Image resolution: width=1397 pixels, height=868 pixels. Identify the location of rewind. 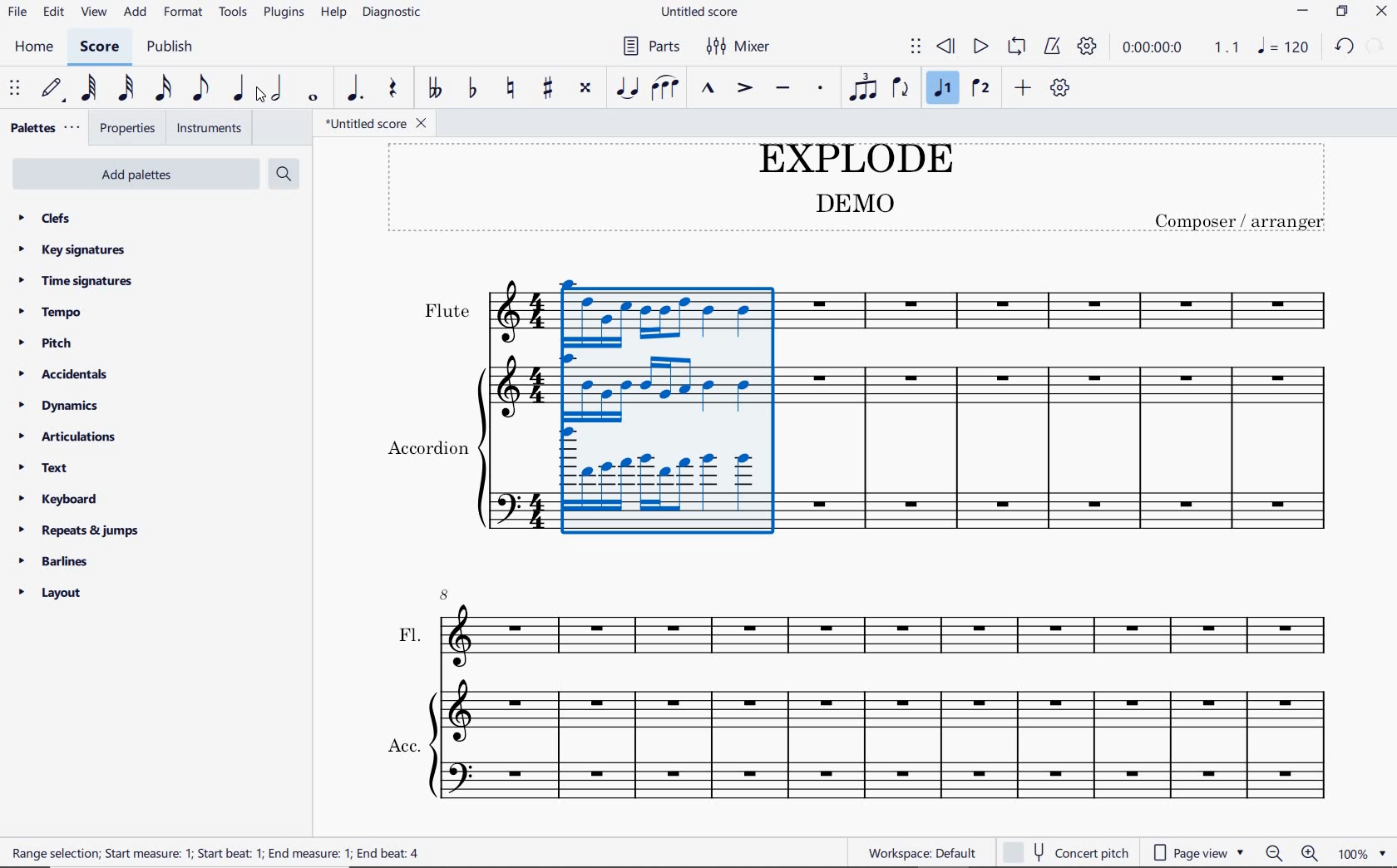
(949, 47).